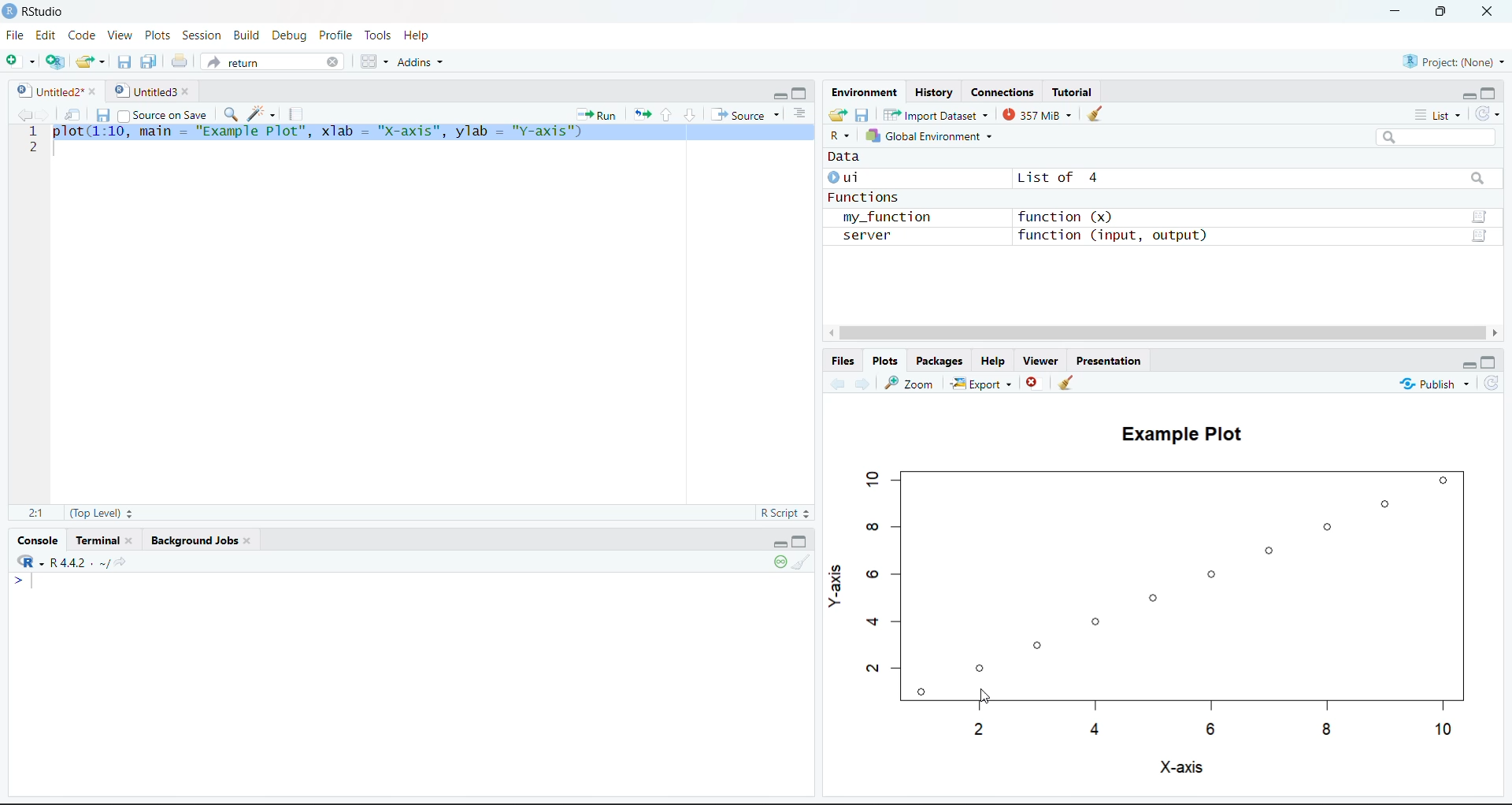 This screenshot has width=1512, height=805. What do you see at coordinates (17, 581) in the screenshot?
I see `Prompt cursor` at bounding box center [17, 581].